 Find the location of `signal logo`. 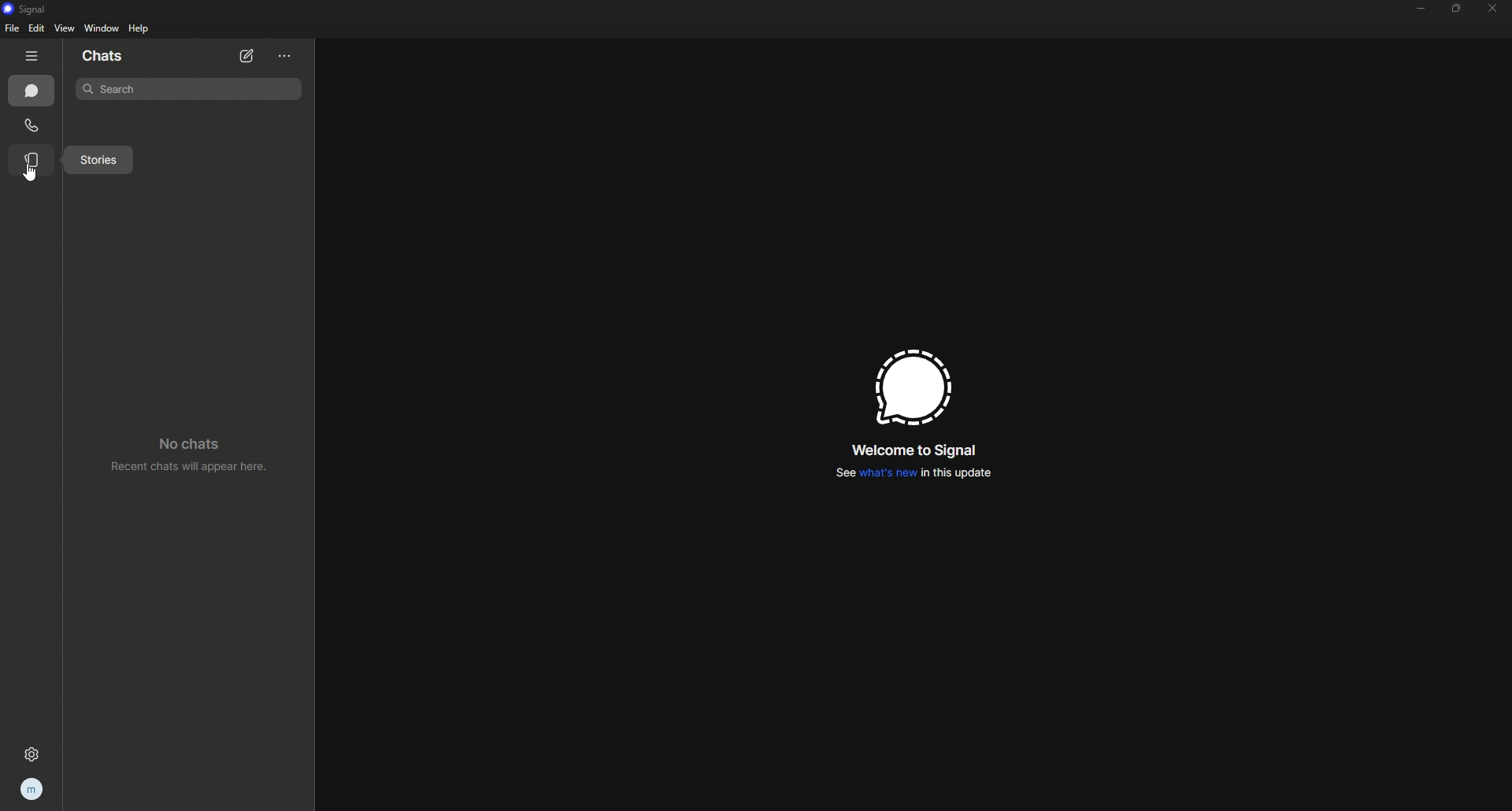

signal logo is located at coordinates (907, 387).